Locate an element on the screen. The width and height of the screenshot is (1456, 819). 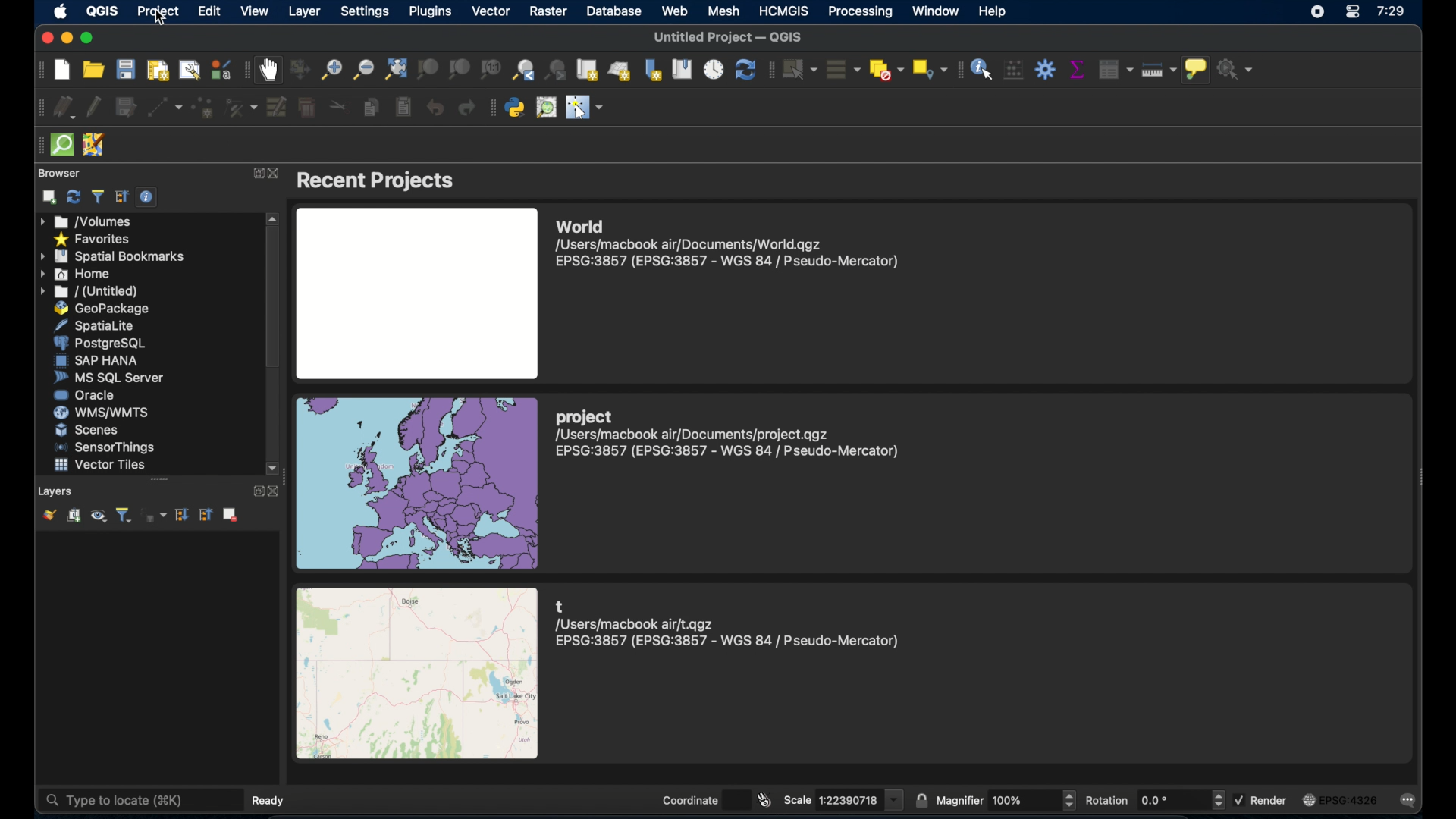
measure line is located at coordinates (1159, 71).